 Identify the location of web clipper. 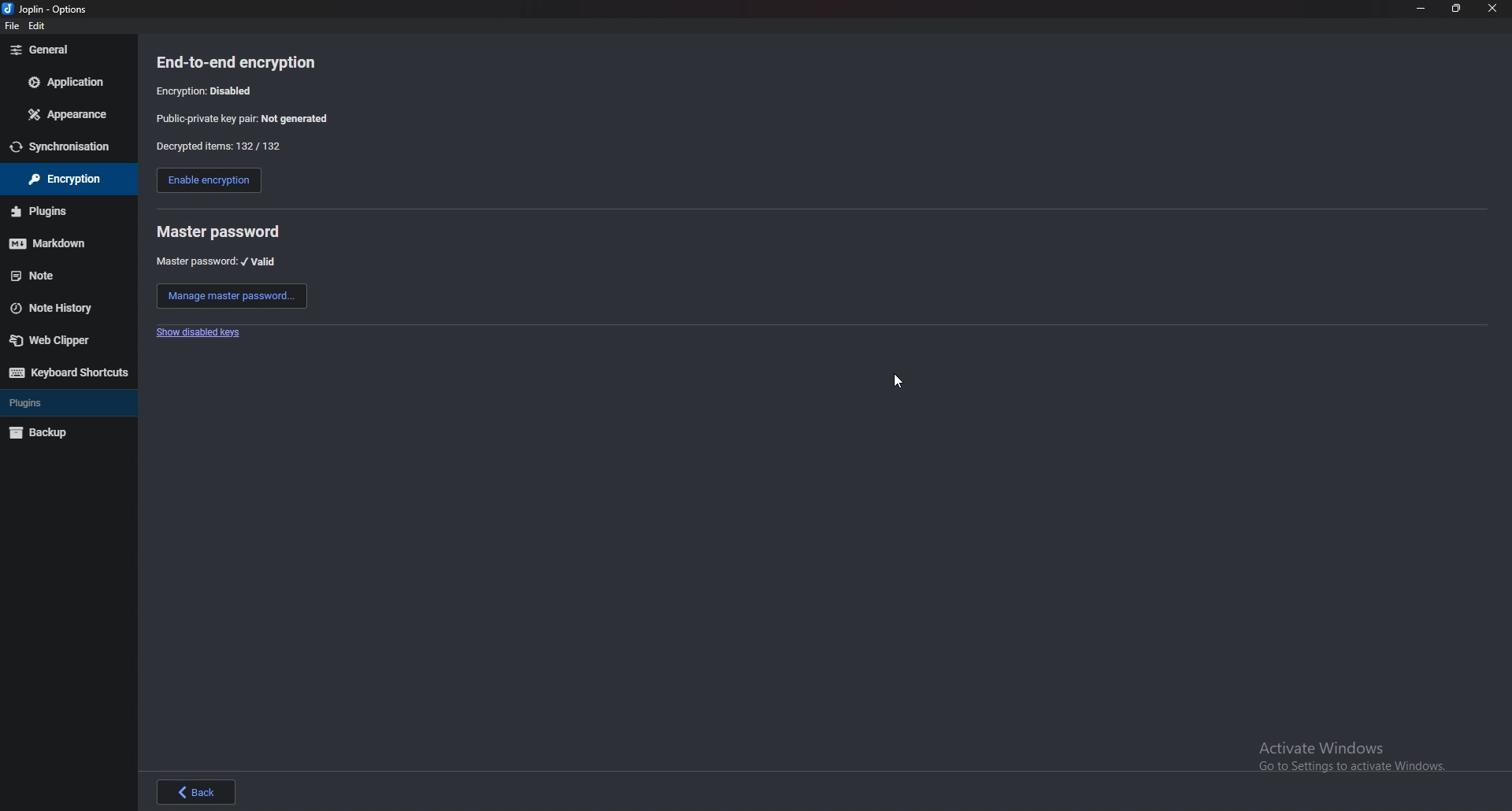
(68, 339).